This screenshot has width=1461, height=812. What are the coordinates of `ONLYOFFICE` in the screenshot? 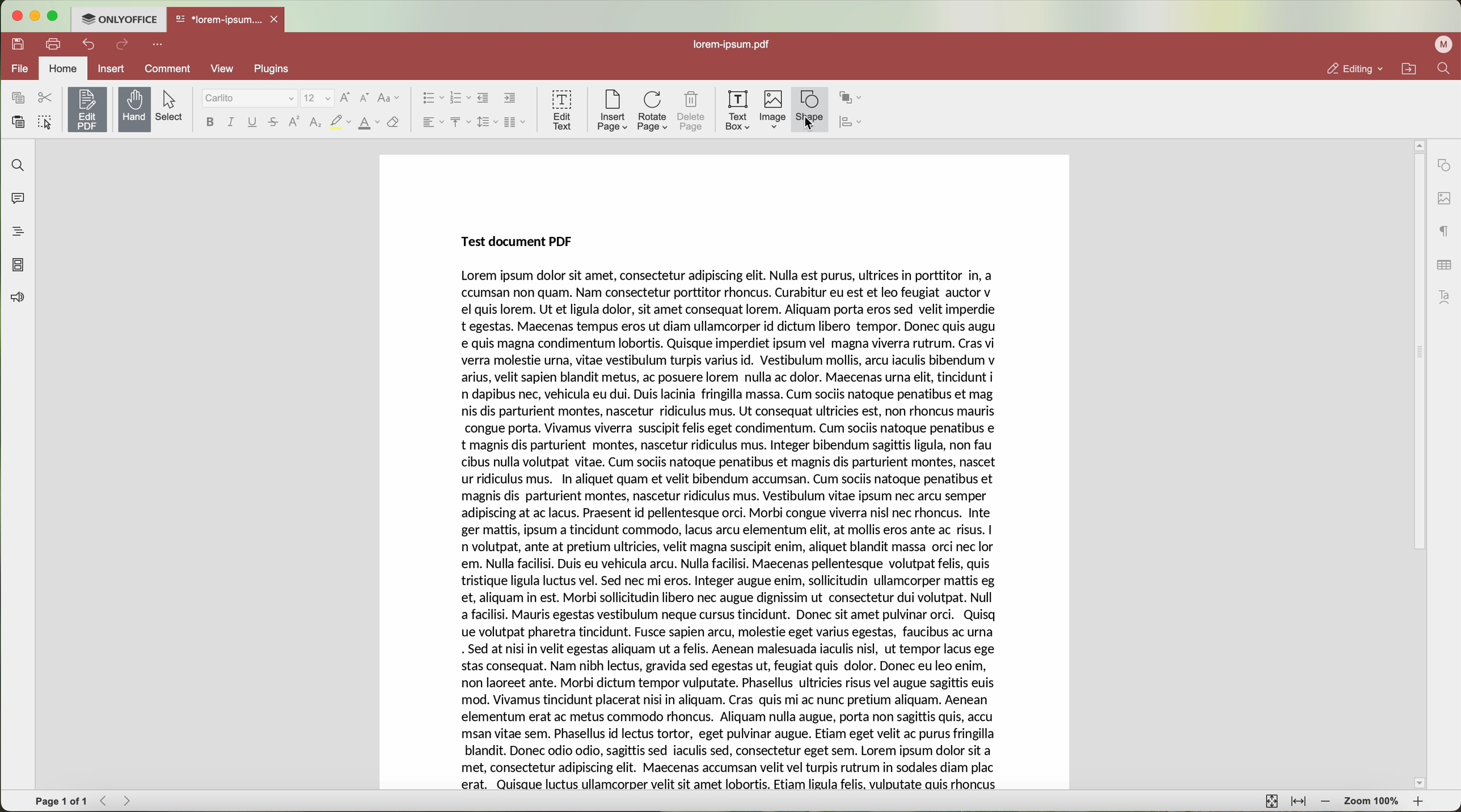 It's located at (120, 19).